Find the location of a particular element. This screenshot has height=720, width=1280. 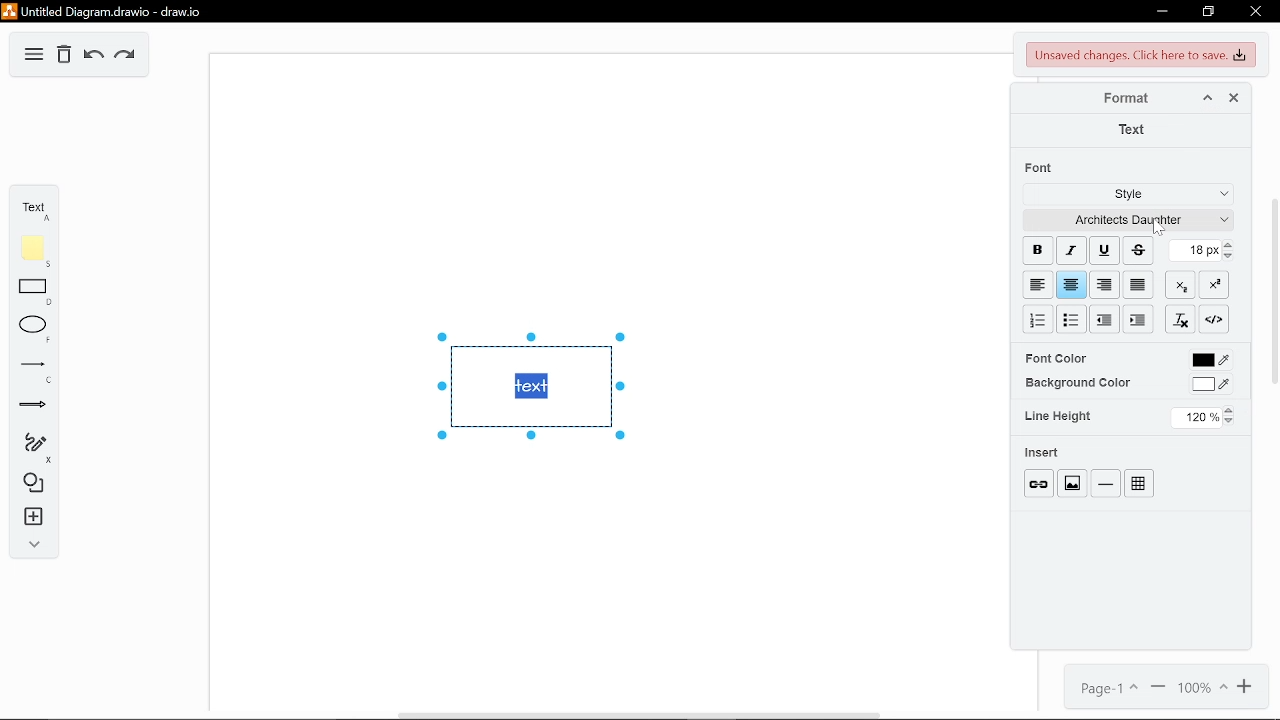

strikethrough is located at coordinates (1138, 249).